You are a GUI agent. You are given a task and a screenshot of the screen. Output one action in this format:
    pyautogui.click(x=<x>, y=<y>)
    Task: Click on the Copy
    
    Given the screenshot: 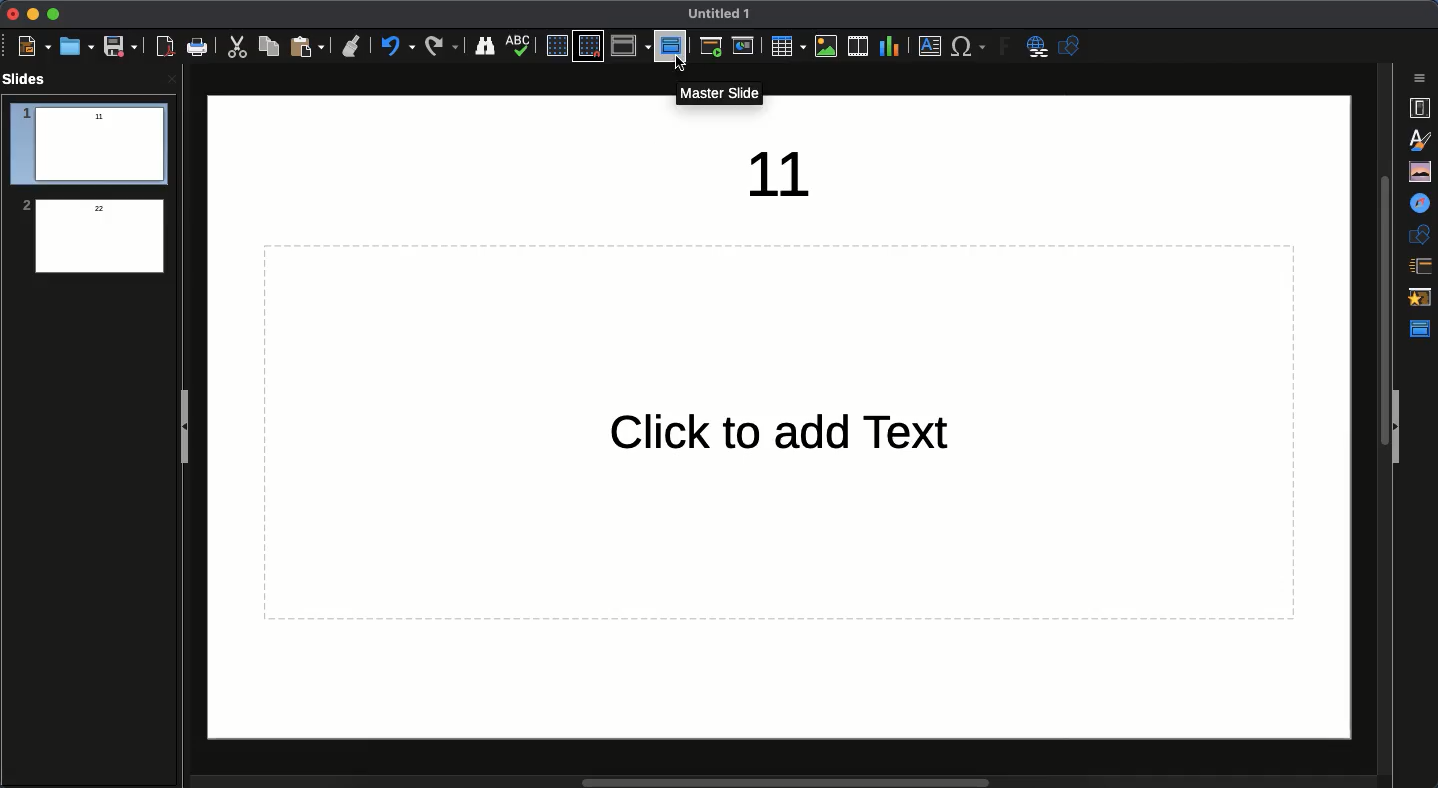 What is the action you would take?
    pyautogui.click(x=269, y=46)
    